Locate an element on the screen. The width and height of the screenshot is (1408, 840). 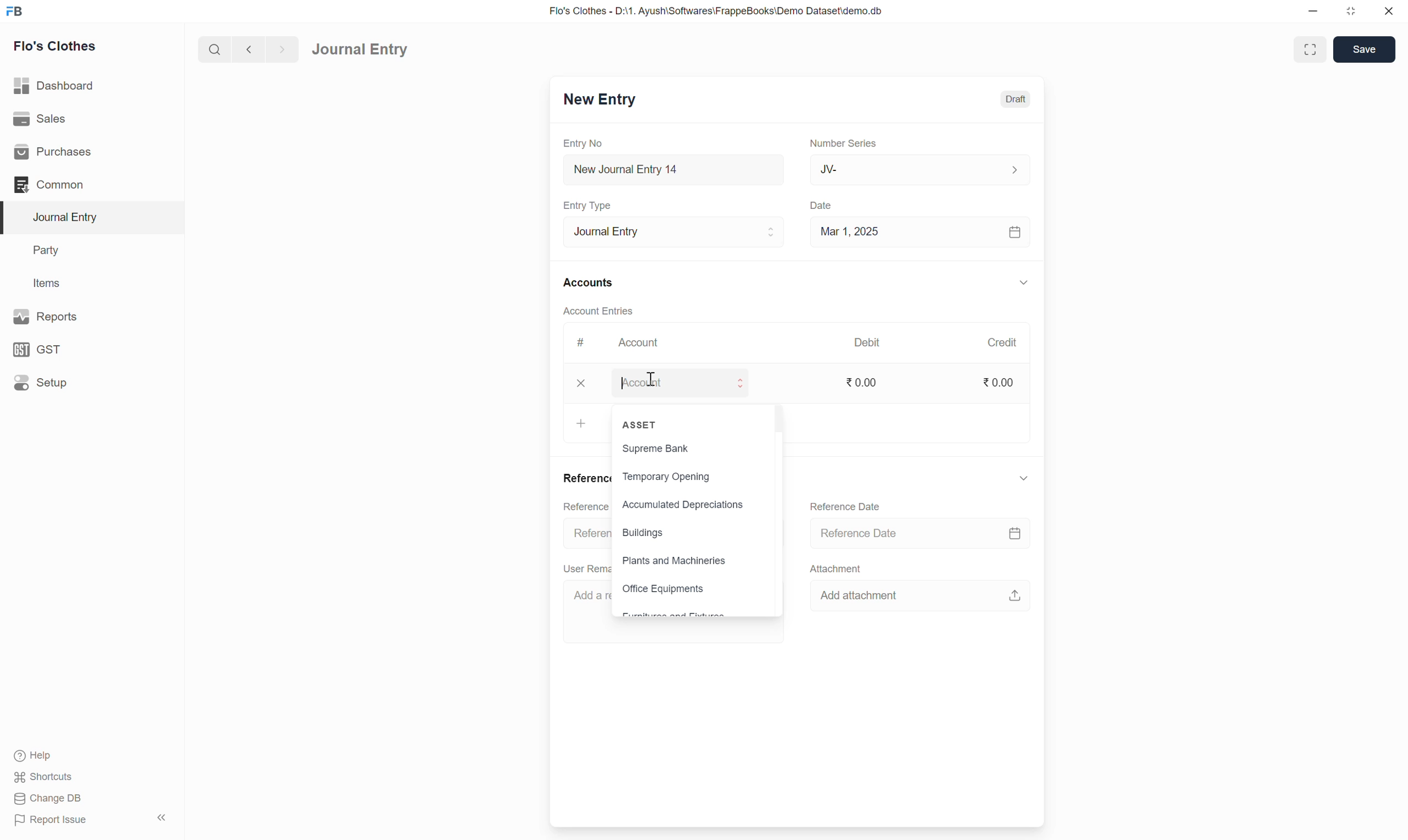
Number Series is located at coordinates (844, 142).